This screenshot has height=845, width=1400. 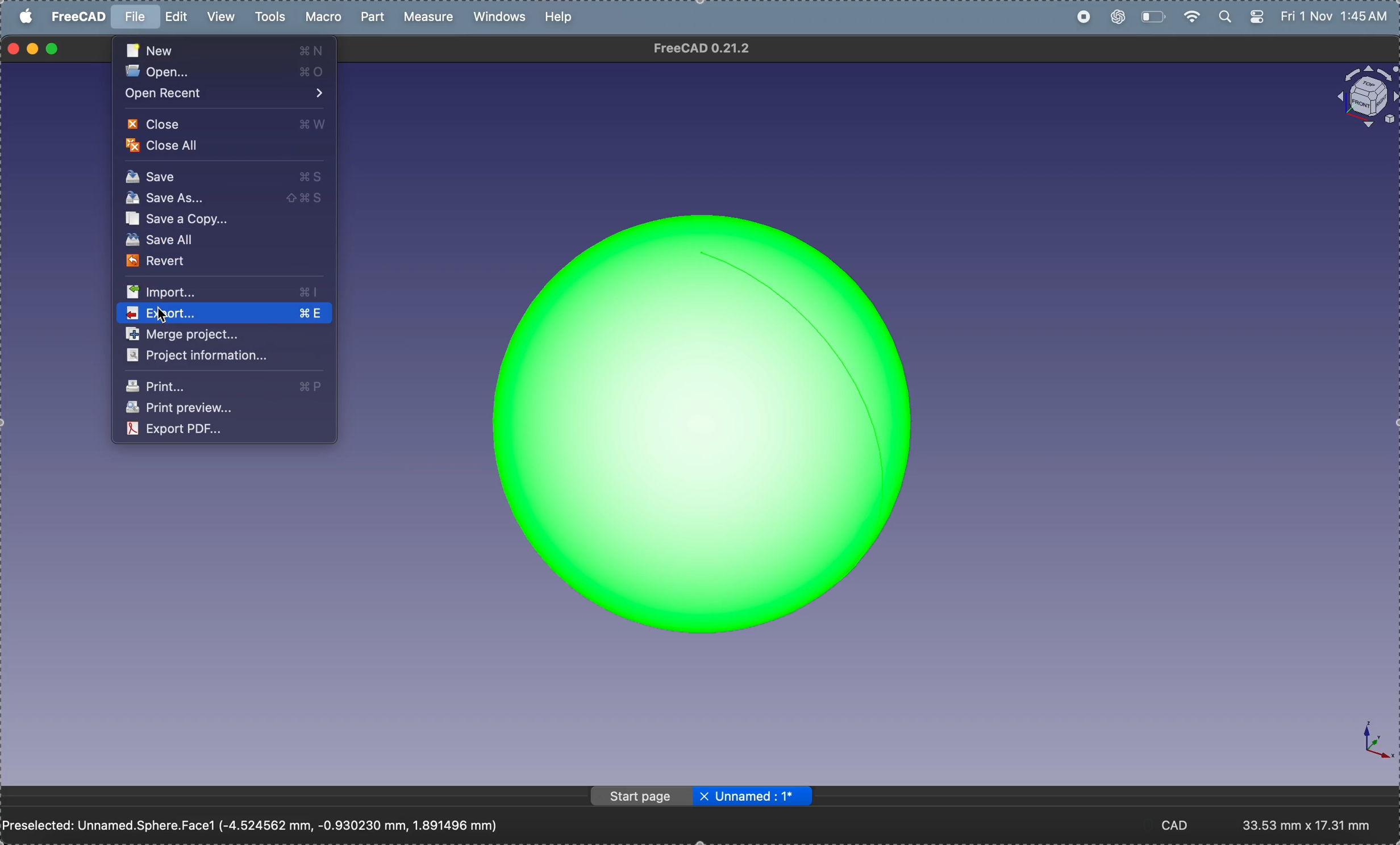 I want to click on save a copy, so click(x=227, y=219).